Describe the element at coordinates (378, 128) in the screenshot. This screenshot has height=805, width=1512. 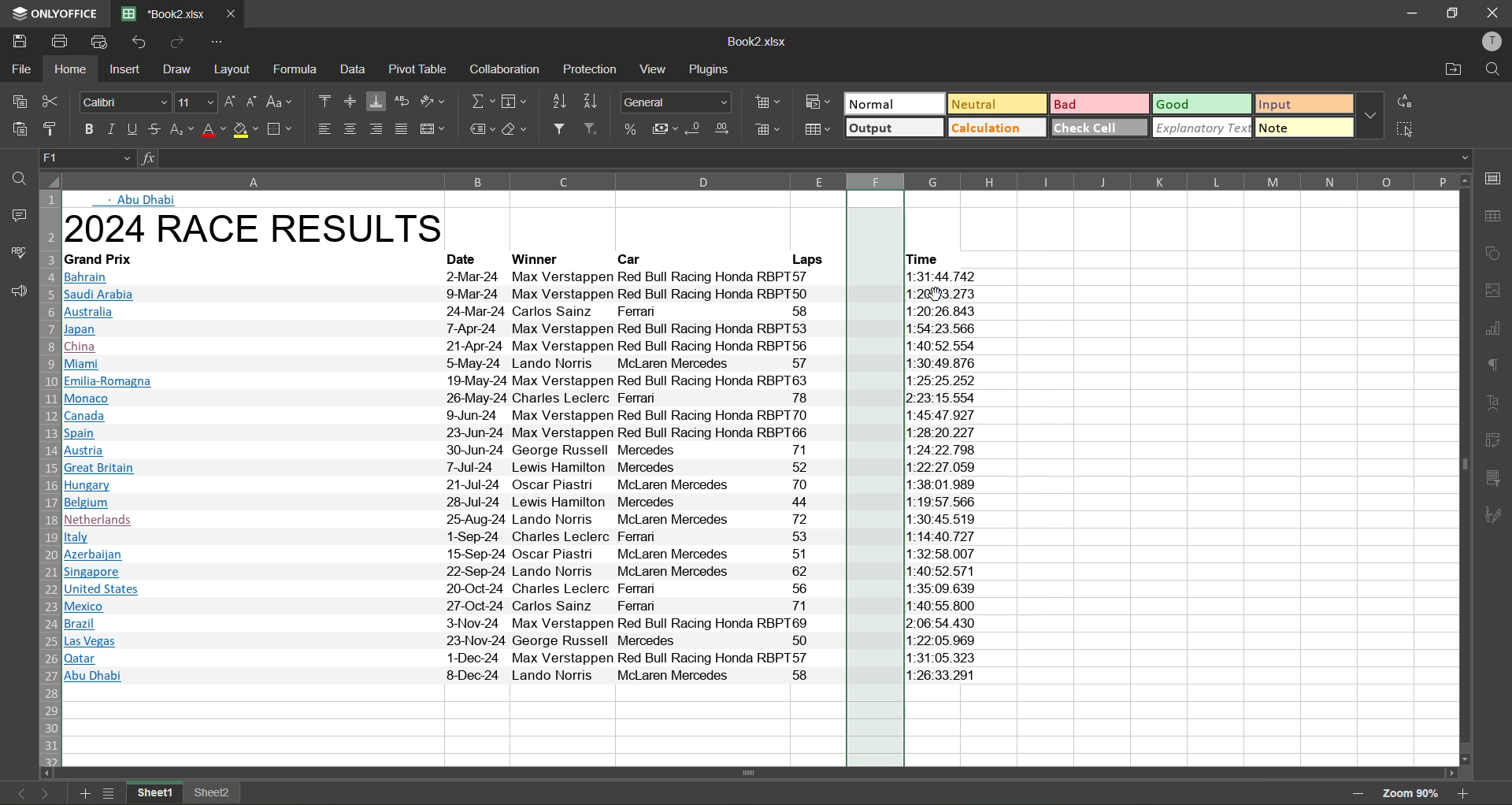
I see `align right` at that location.